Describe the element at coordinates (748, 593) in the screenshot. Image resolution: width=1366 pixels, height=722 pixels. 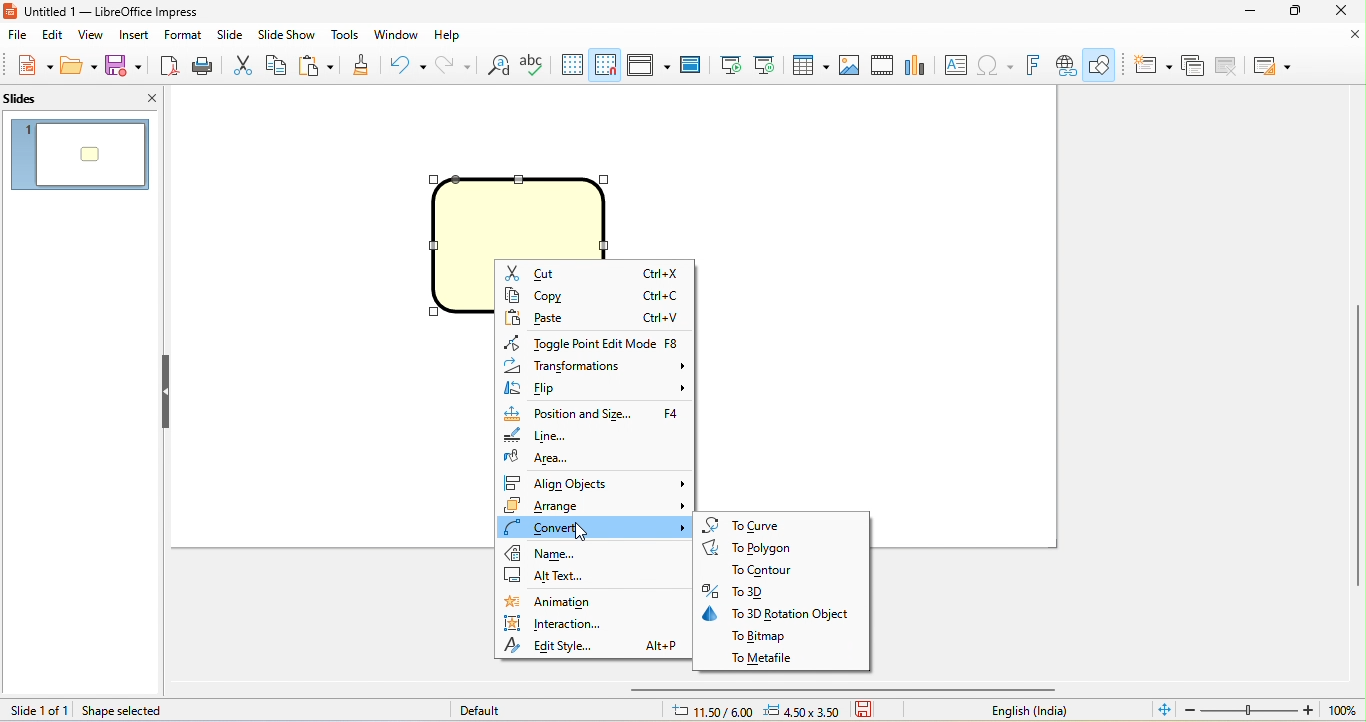
I see `to 3d` at that location.